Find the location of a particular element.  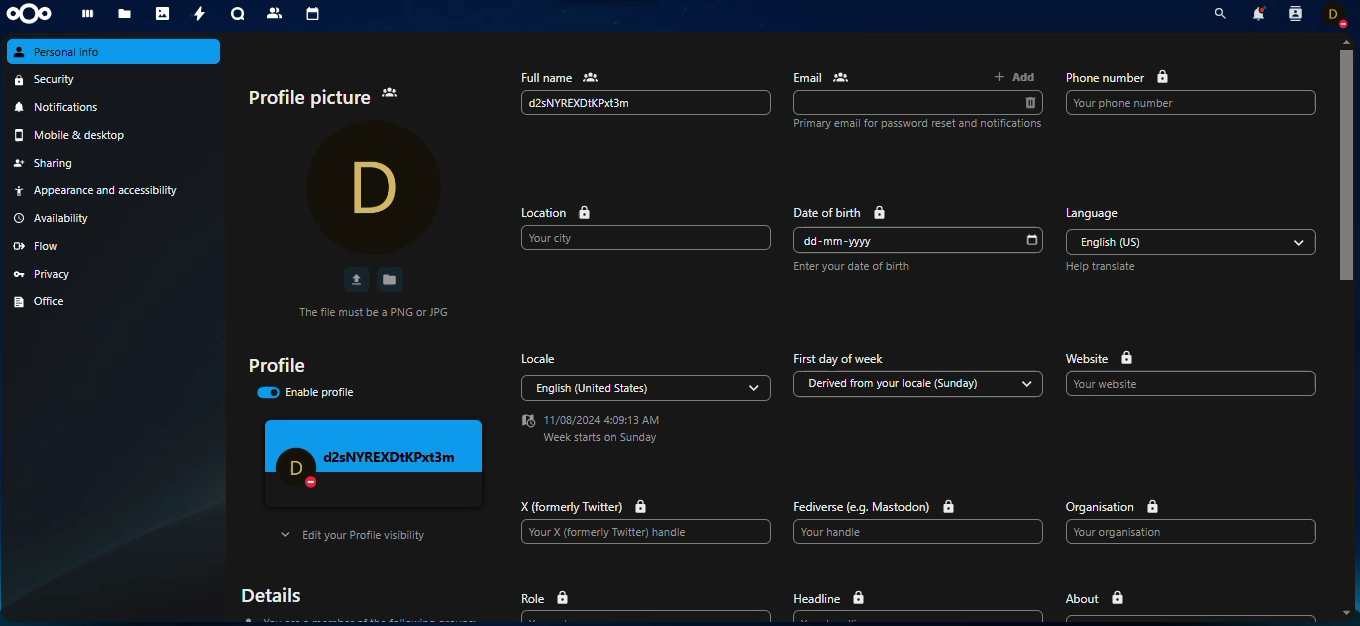

office is located at coordinates (113, 302).